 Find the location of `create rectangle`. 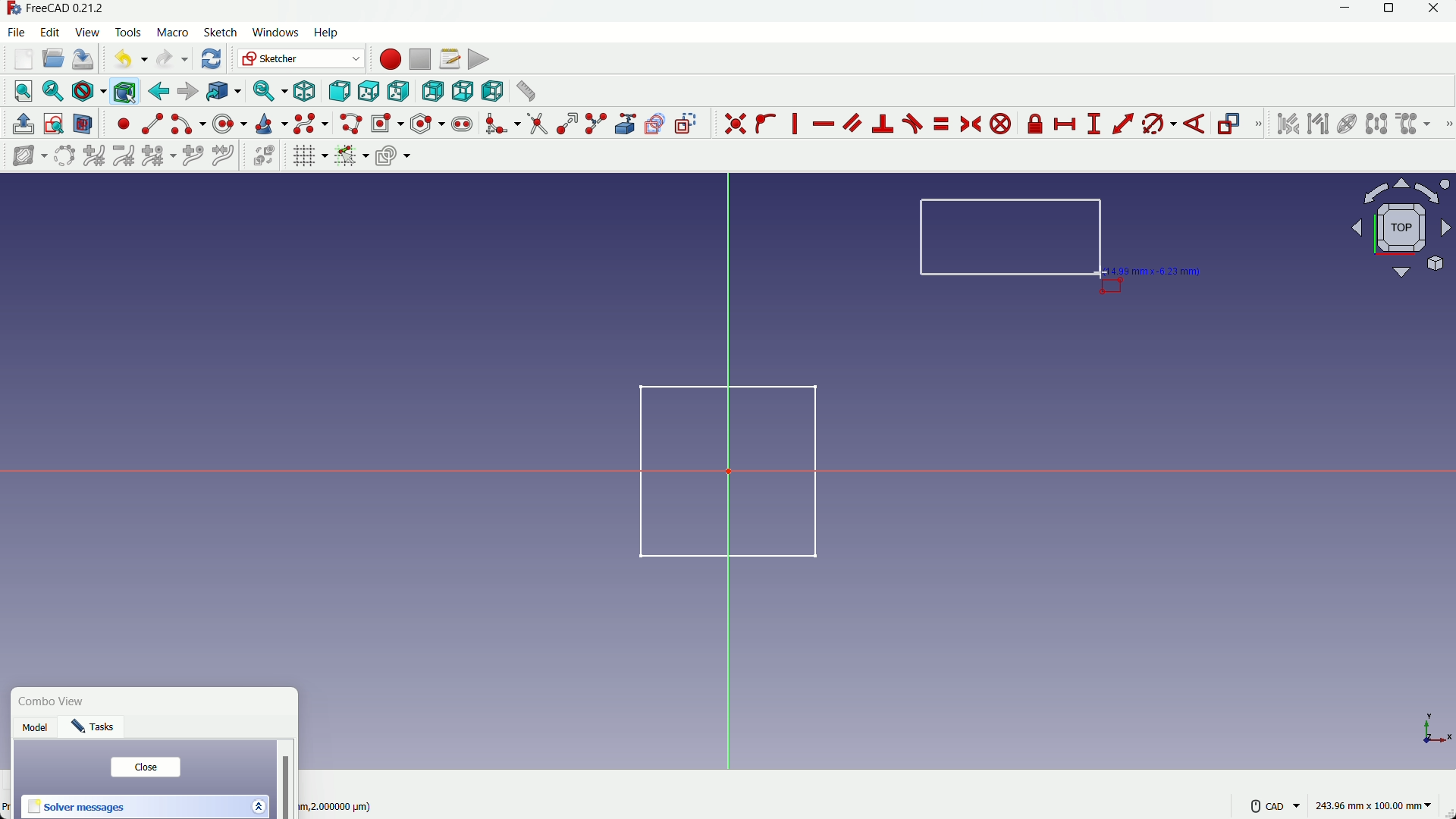

create rectangle is located at coordinates (386, 123).